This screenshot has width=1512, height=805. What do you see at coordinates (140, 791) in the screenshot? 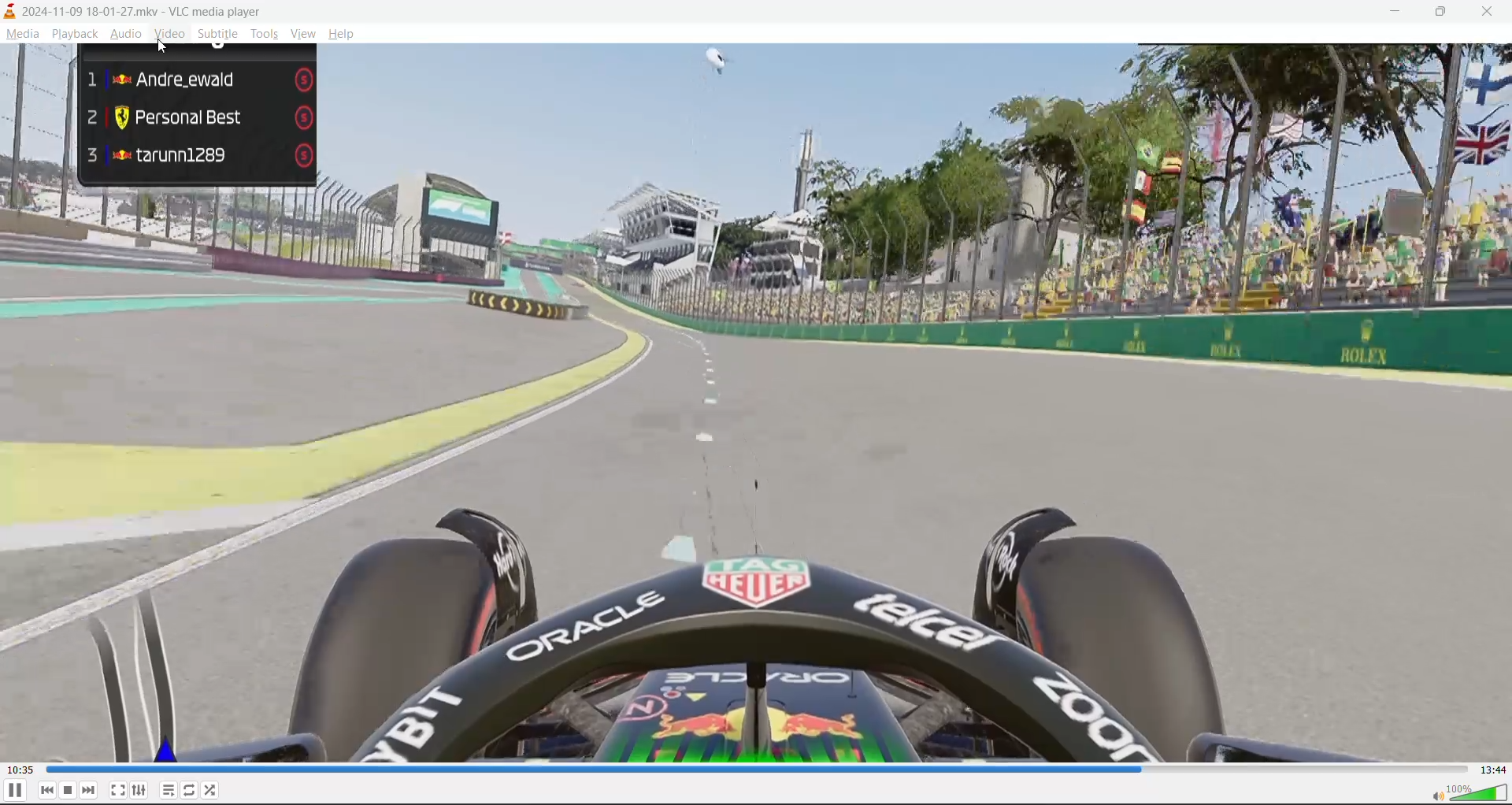
I see `settings` at bounding box center [140, 791].